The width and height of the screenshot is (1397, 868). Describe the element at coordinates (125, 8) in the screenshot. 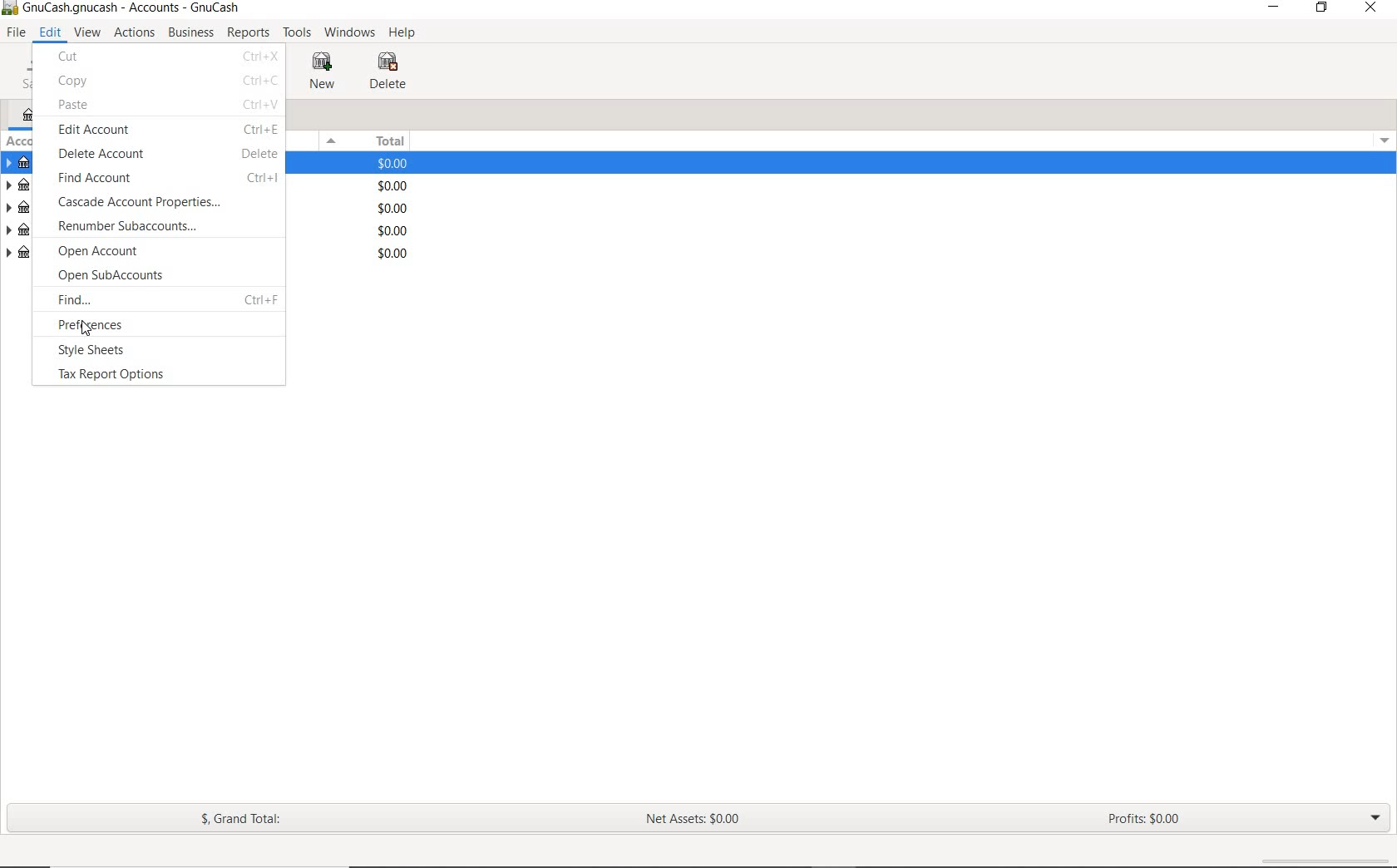

I see `SYSTEM NAME` at that location.